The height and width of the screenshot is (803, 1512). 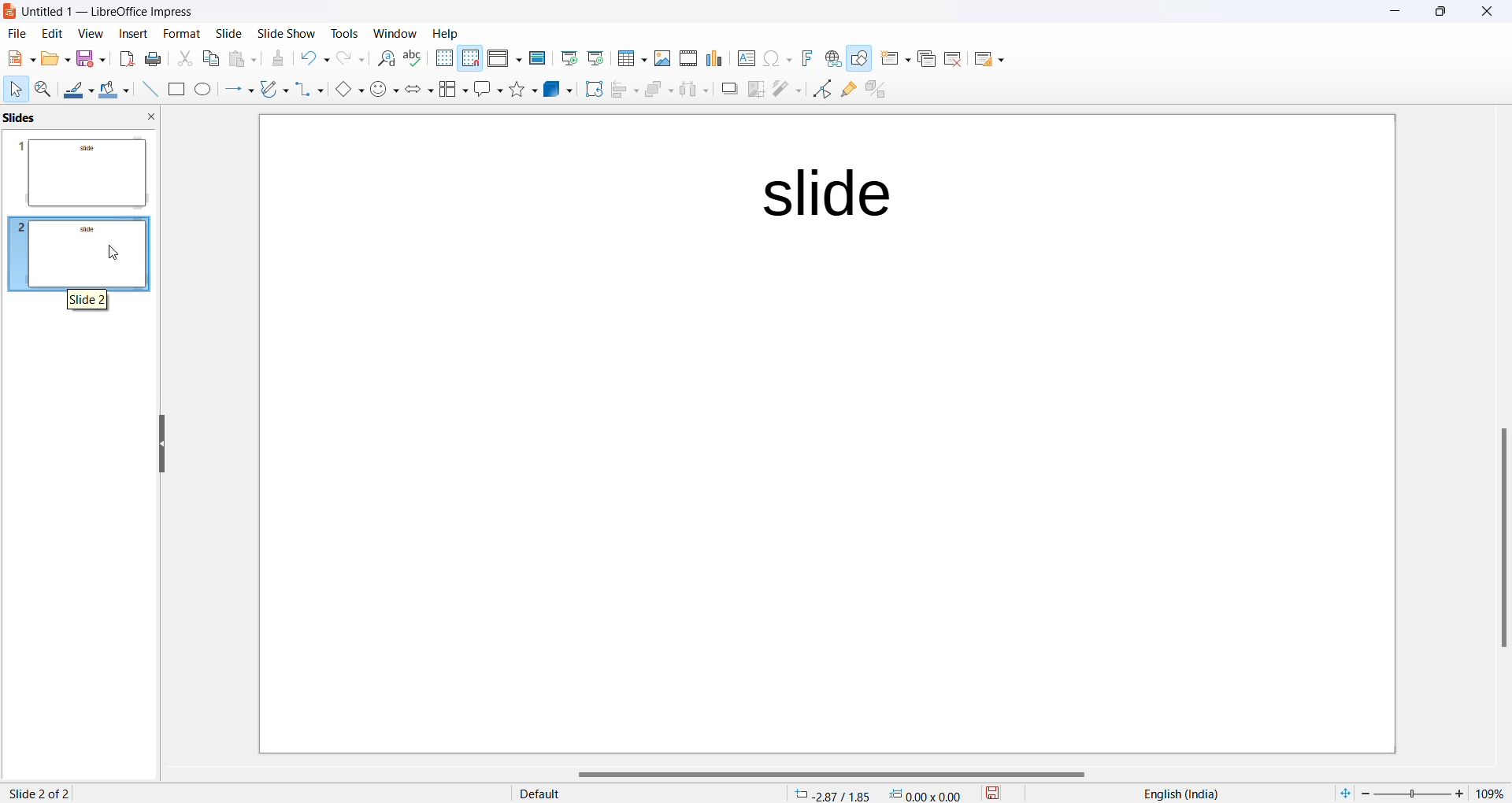 What do you see at coordinates (183, 57) in the screenshot?
I see `Cut` at bounding box center [183, 57].